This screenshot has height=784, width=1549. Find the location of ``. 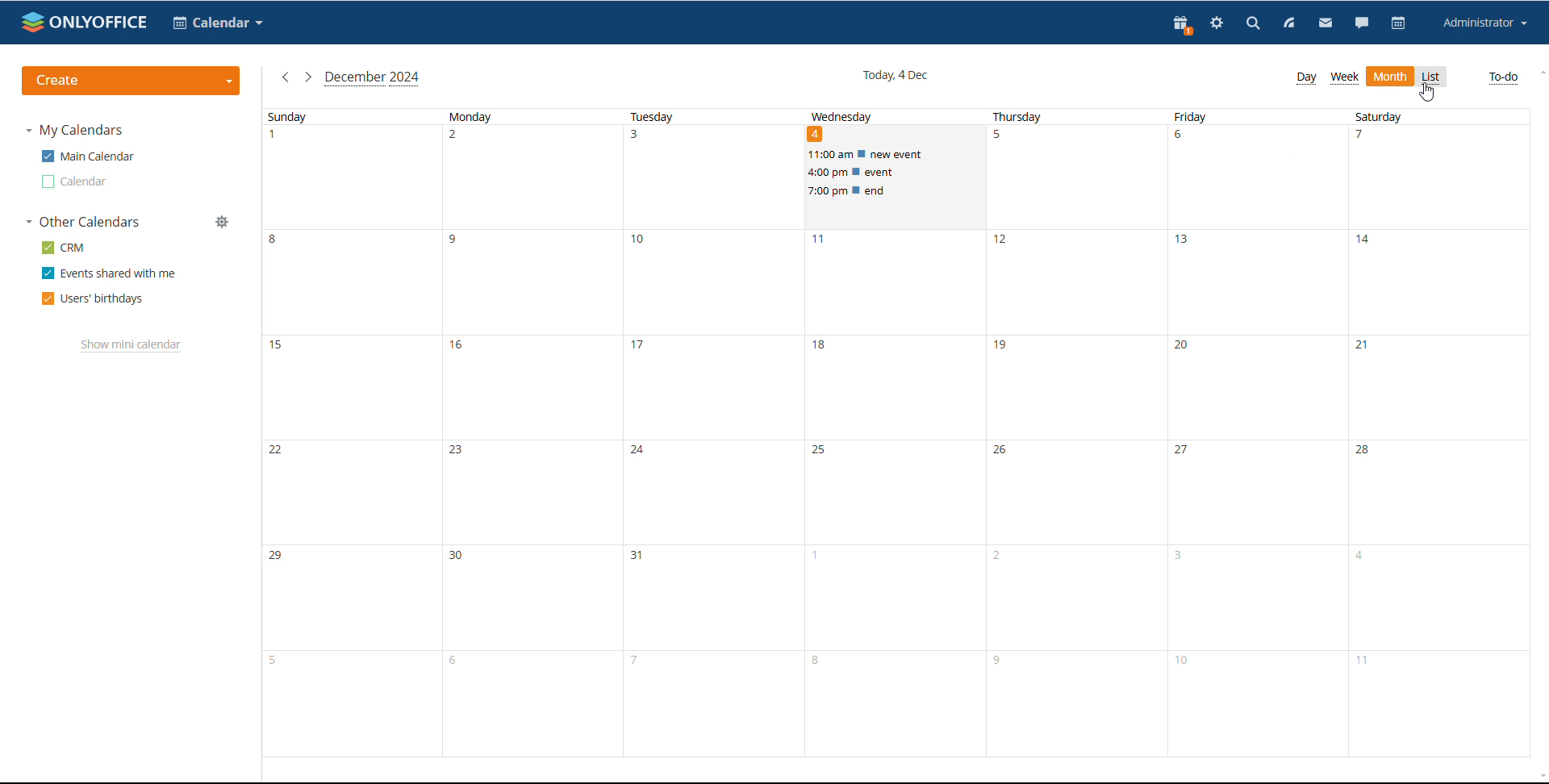

 is located at coordinates (1392, 77).